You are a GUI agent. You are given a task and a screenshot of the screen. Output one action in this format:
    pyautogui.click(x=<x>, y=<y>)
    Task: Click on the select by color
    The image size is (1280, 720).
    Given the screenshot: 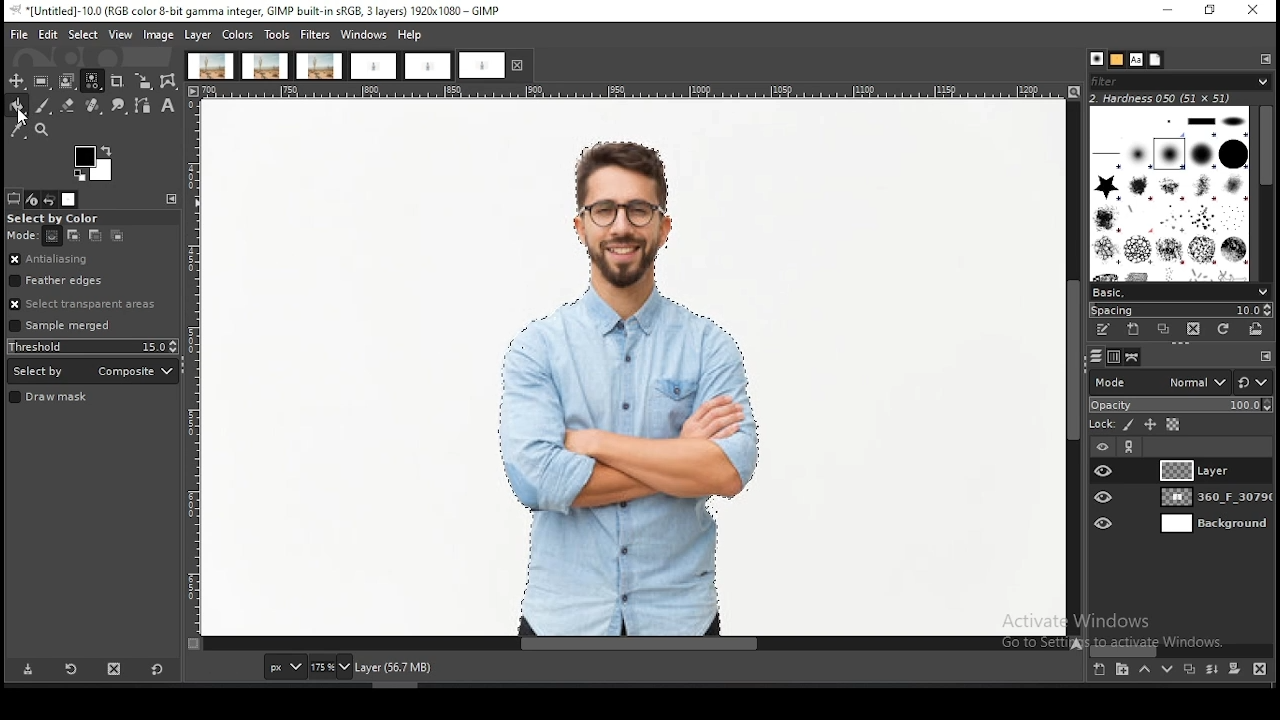 What is the action you would take?
    pyautogui.click(x=59, y=219)
    